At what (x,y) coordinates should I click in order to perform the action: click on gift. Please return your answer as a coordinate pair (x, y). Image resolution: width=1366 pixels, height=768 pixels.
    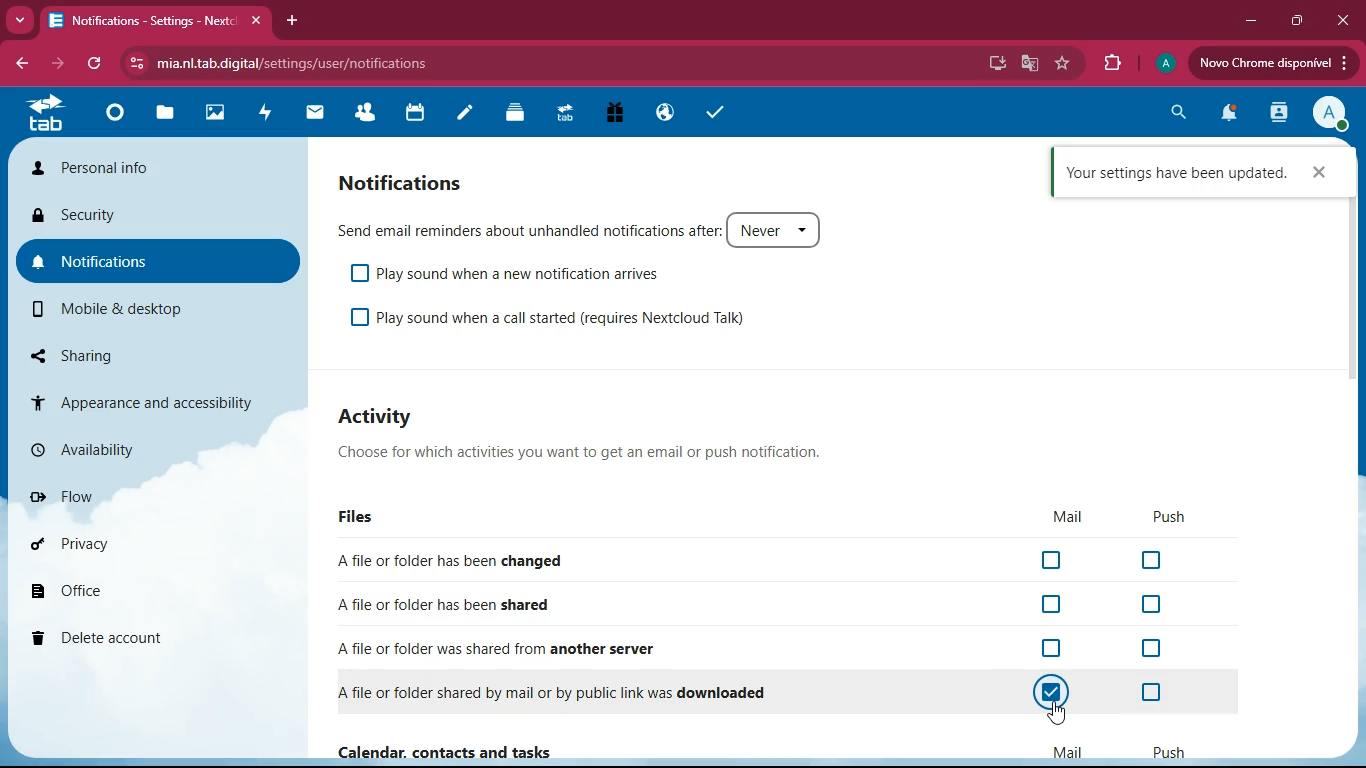
    Looking at the image, I should click on (612, 115).